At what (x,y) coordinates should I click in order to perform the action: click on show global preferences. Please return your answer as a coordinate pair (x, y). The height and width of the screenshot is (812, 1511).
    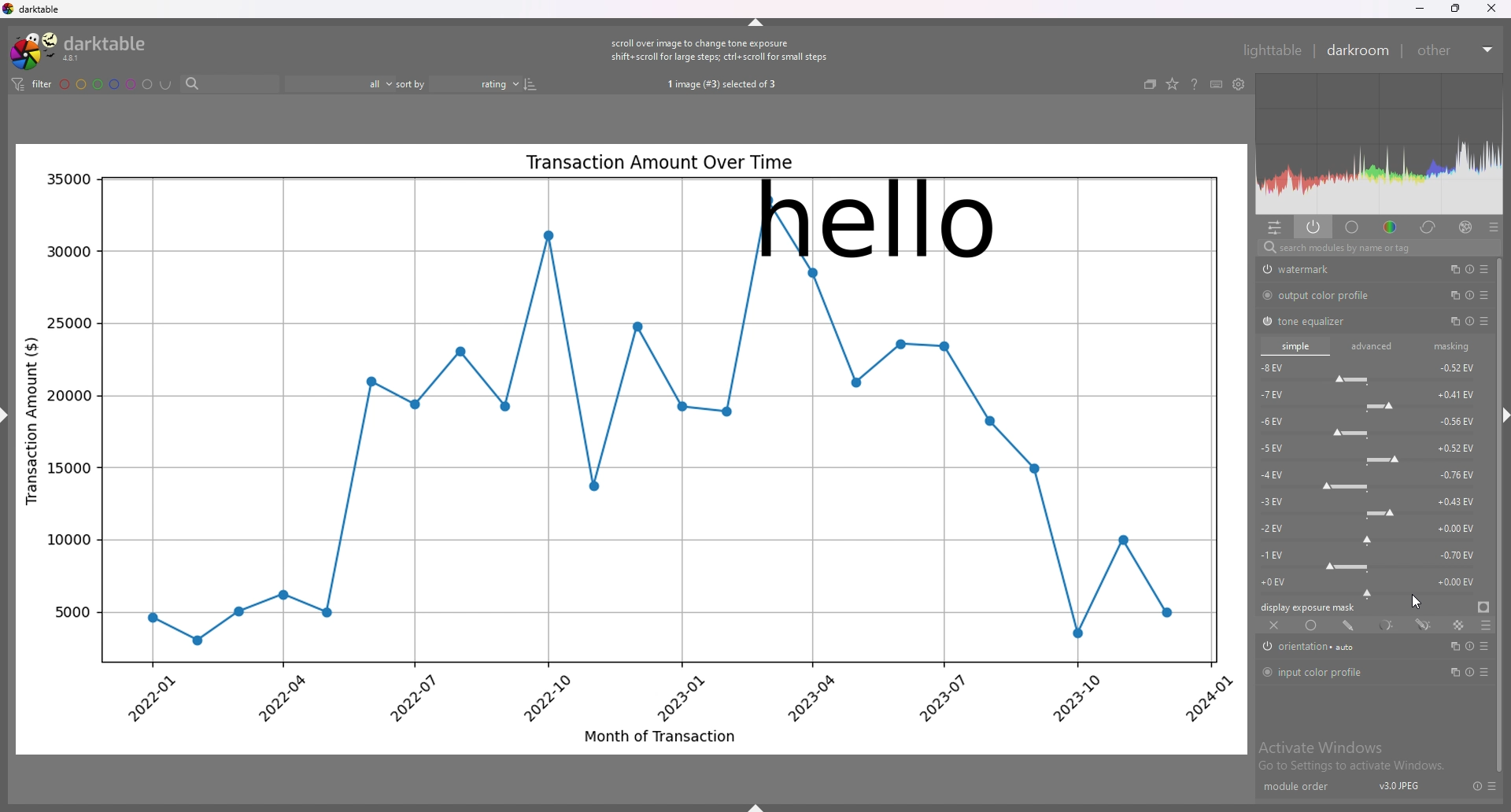
    Looking at the image, I should click on (1239, 83).